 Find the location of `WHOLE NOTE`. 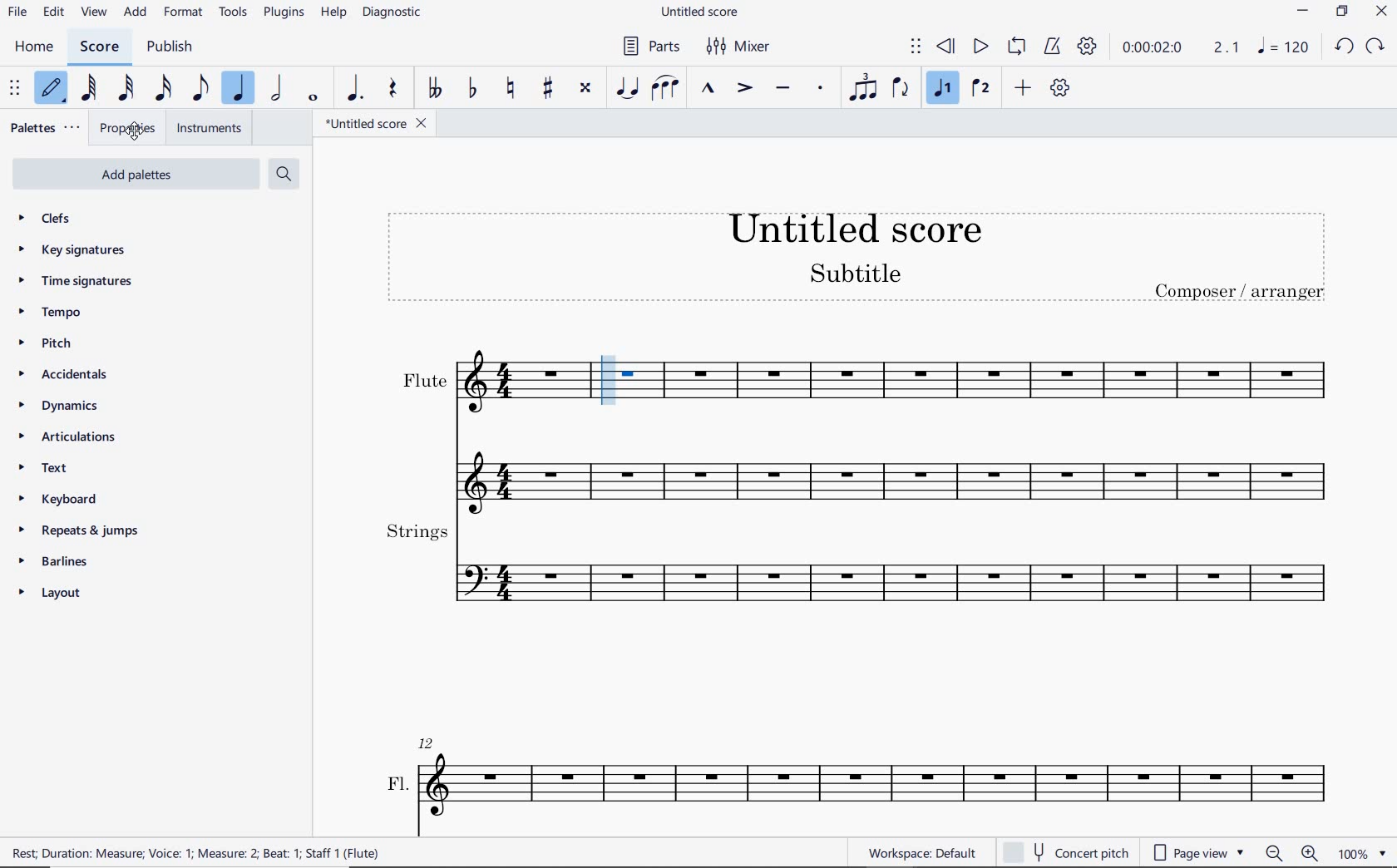

WHOLE NOTE is located at coordinates (313, 99).